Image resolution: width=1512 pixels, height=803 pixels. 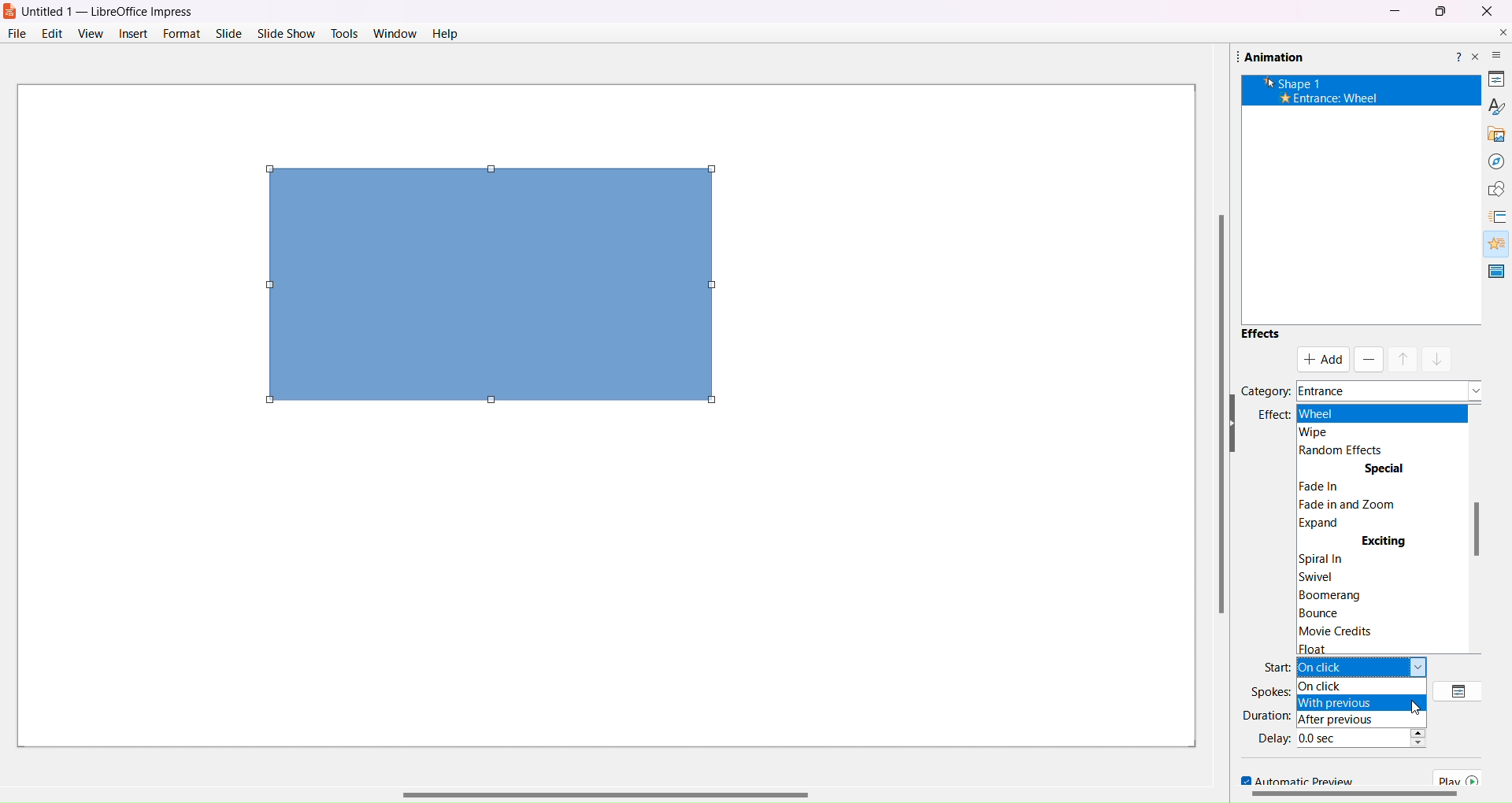 I want to click on Time, so click(x=1351, y=736).